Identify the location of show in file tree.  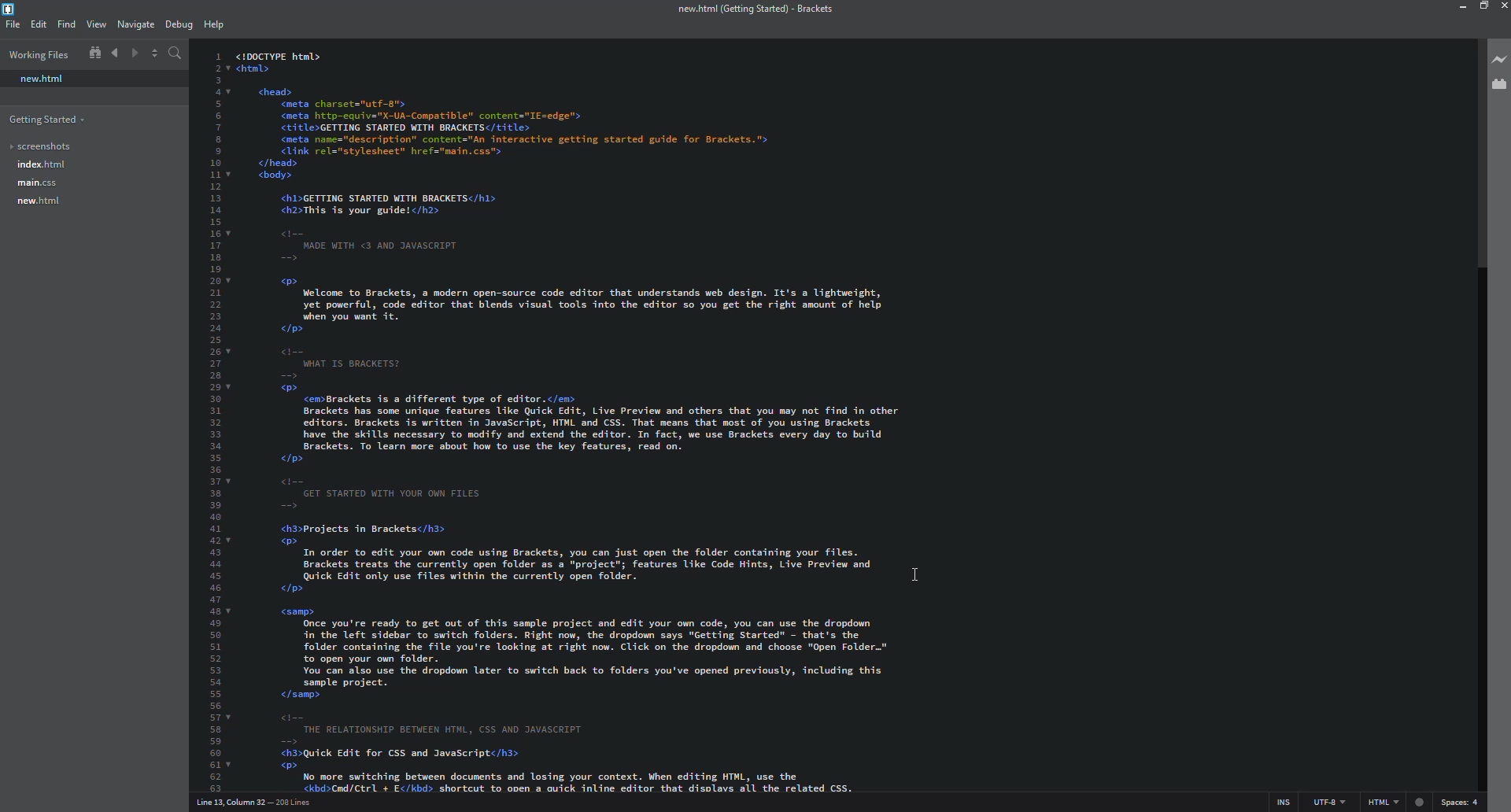
(94, 53).